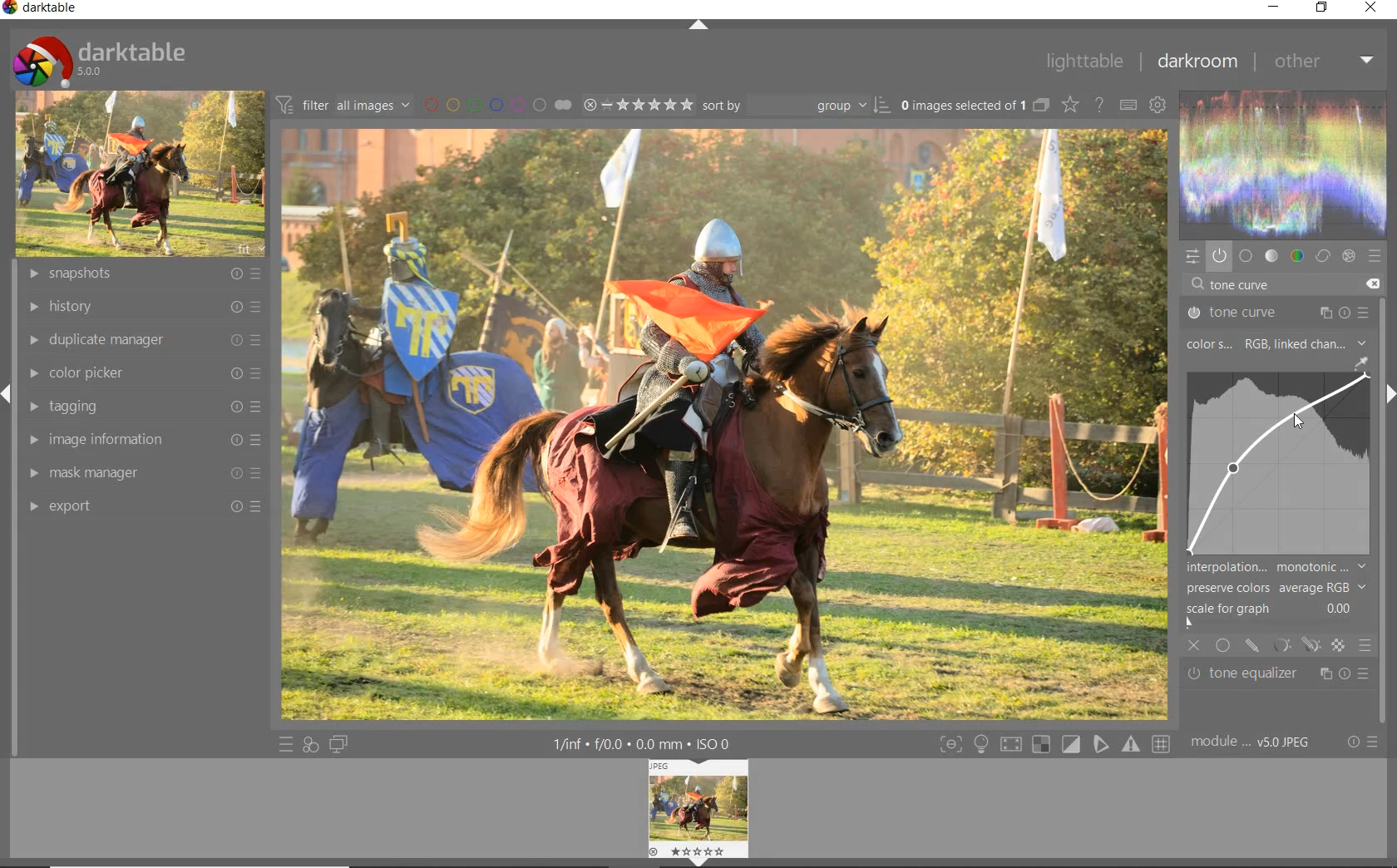 The image size is (1397, 868). What do you see at coordinates (141, 440) in the screenshot?
I see `image information` at bounding box center [141, 440].